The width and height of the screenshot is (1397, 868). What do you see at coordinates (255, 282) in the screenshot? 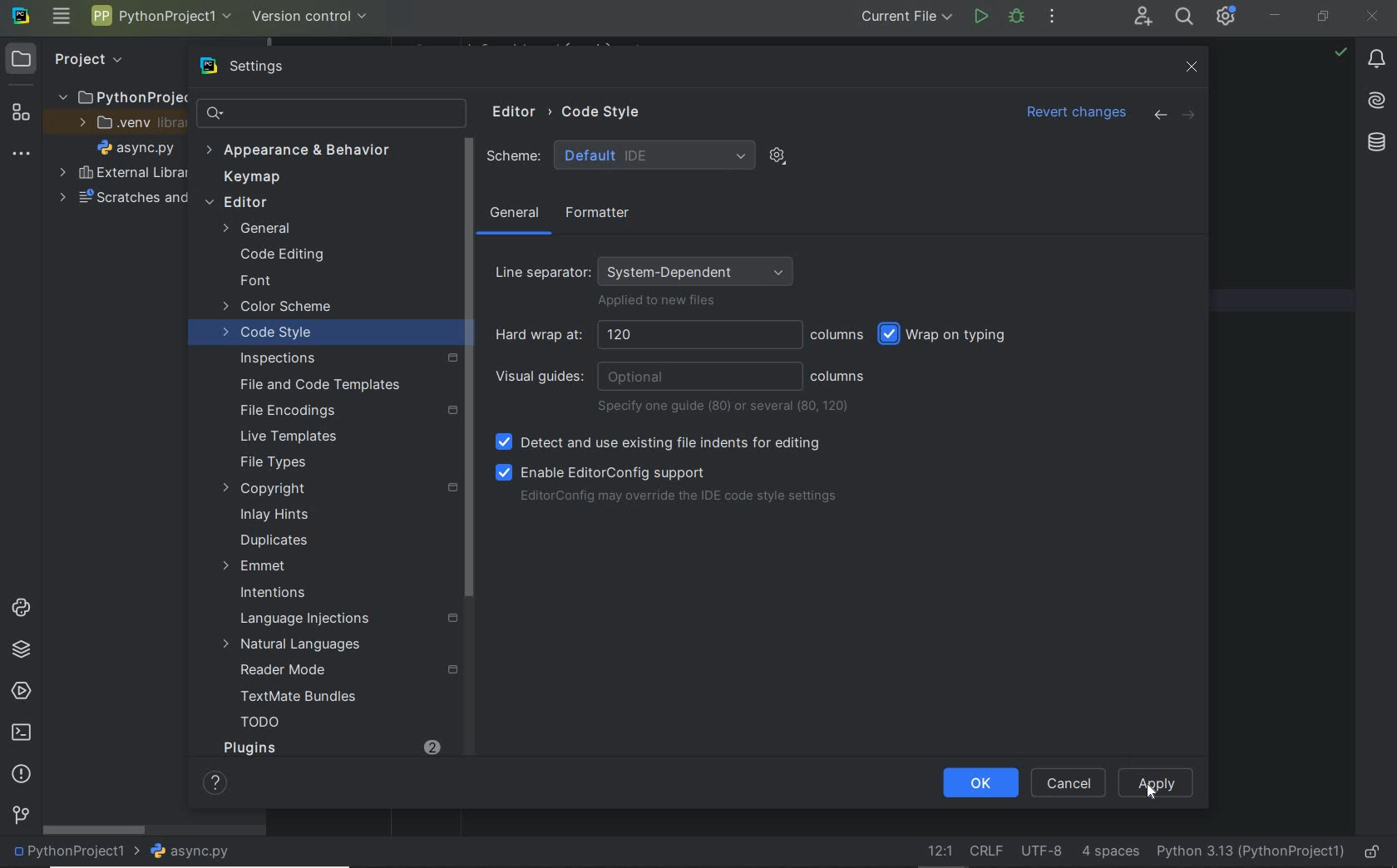
I see `font` at bounding box center [255, 282].